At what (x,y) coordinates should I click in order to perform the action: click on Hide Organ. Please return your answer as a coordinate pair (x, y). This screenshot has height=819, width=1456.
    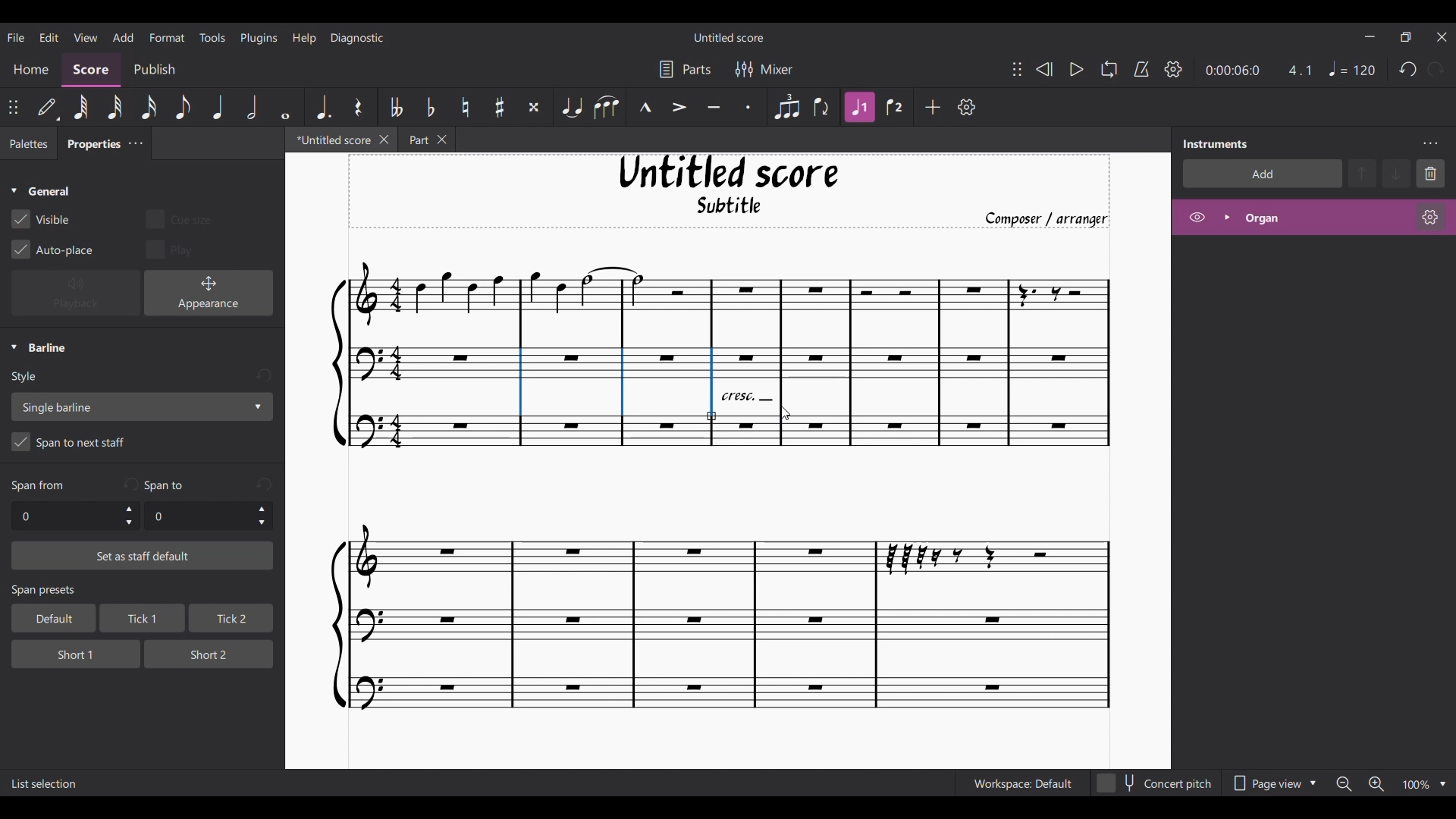
    Looking at the image, I should click on (1197, 217).